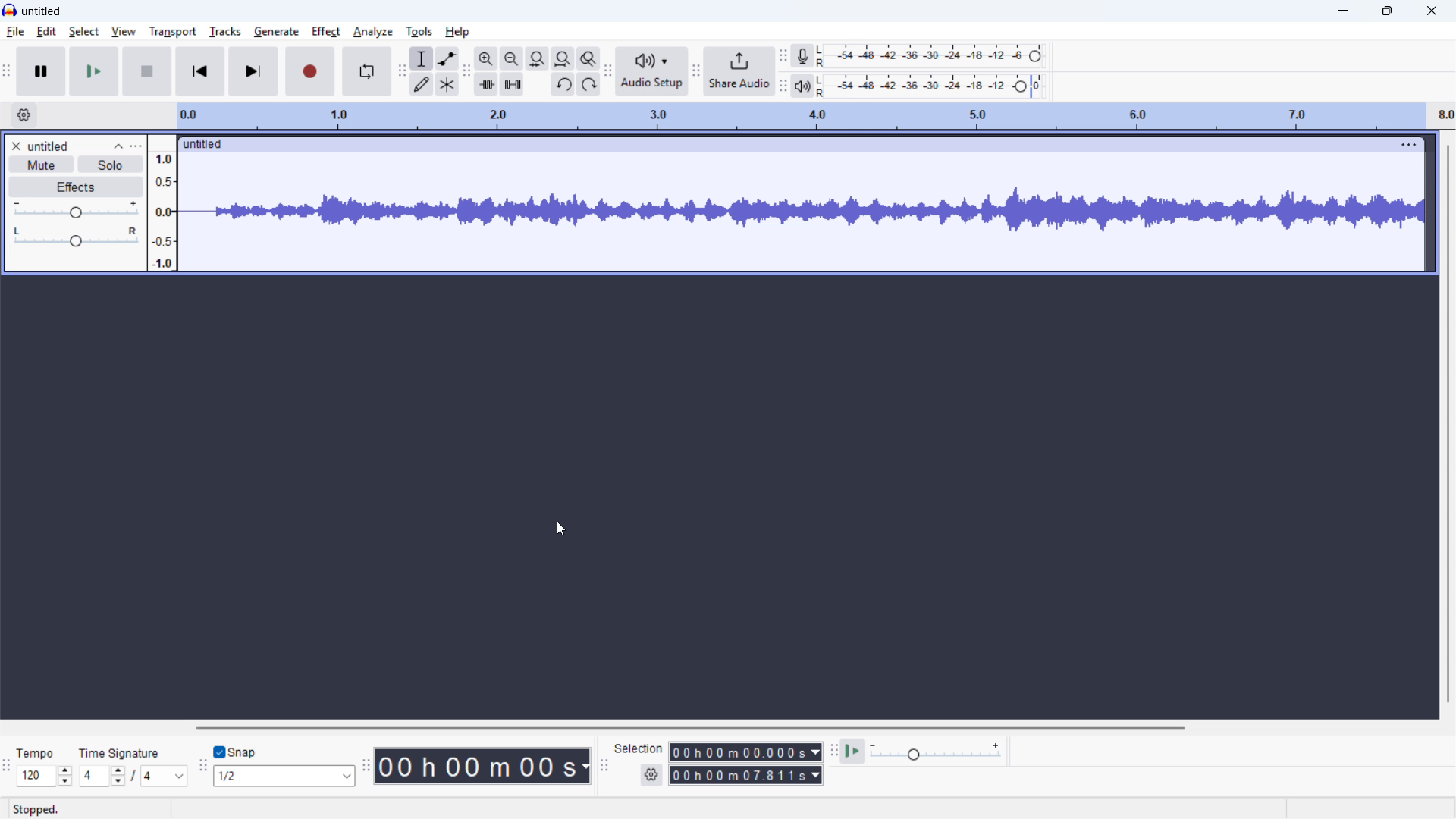 The width and height of the screenshot is (1456, 819). I want to click on Set tempo , so click(43, 777).